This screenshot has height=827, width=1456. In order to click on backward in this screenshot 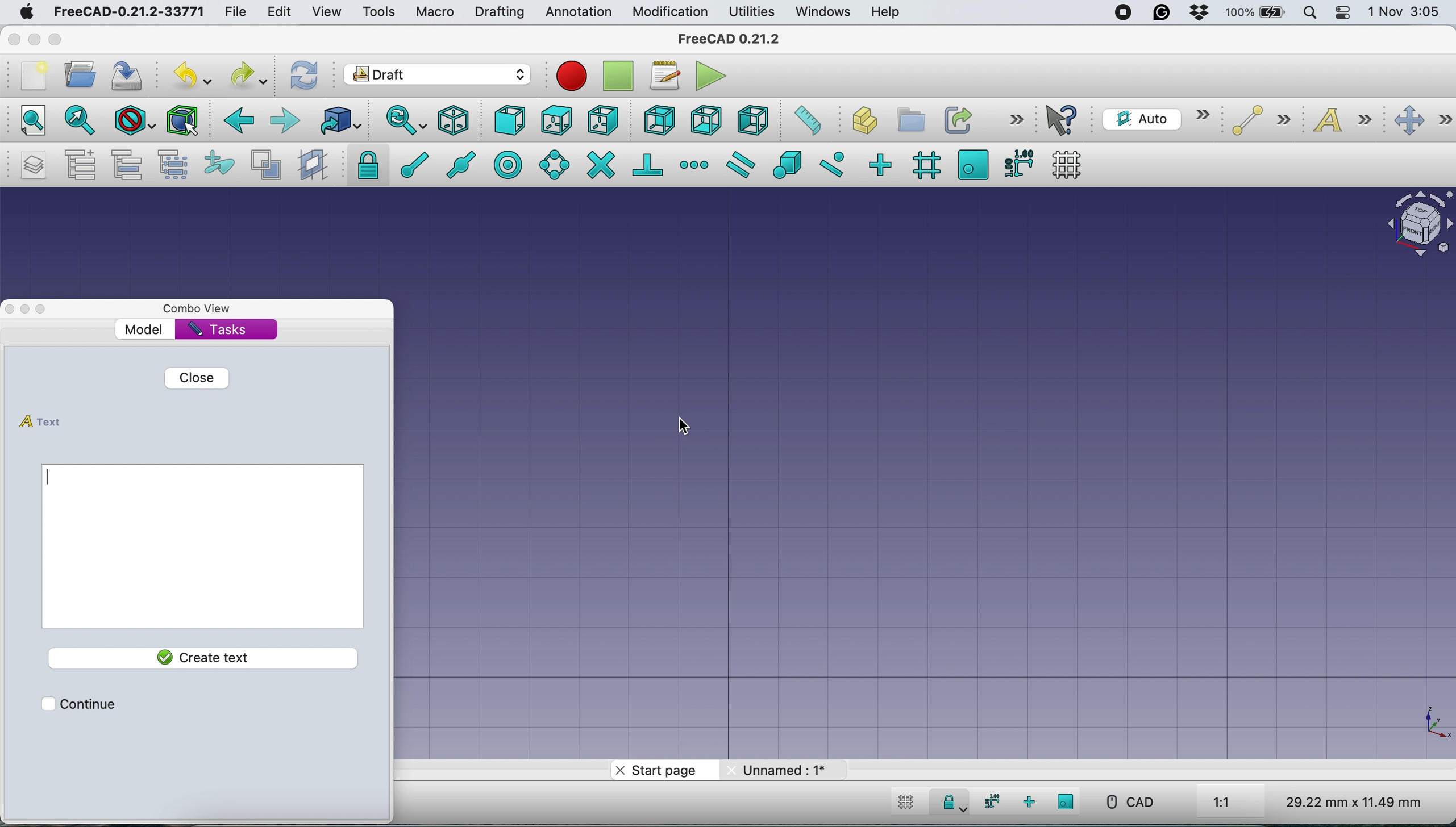, I will do `click(233, 120)`.